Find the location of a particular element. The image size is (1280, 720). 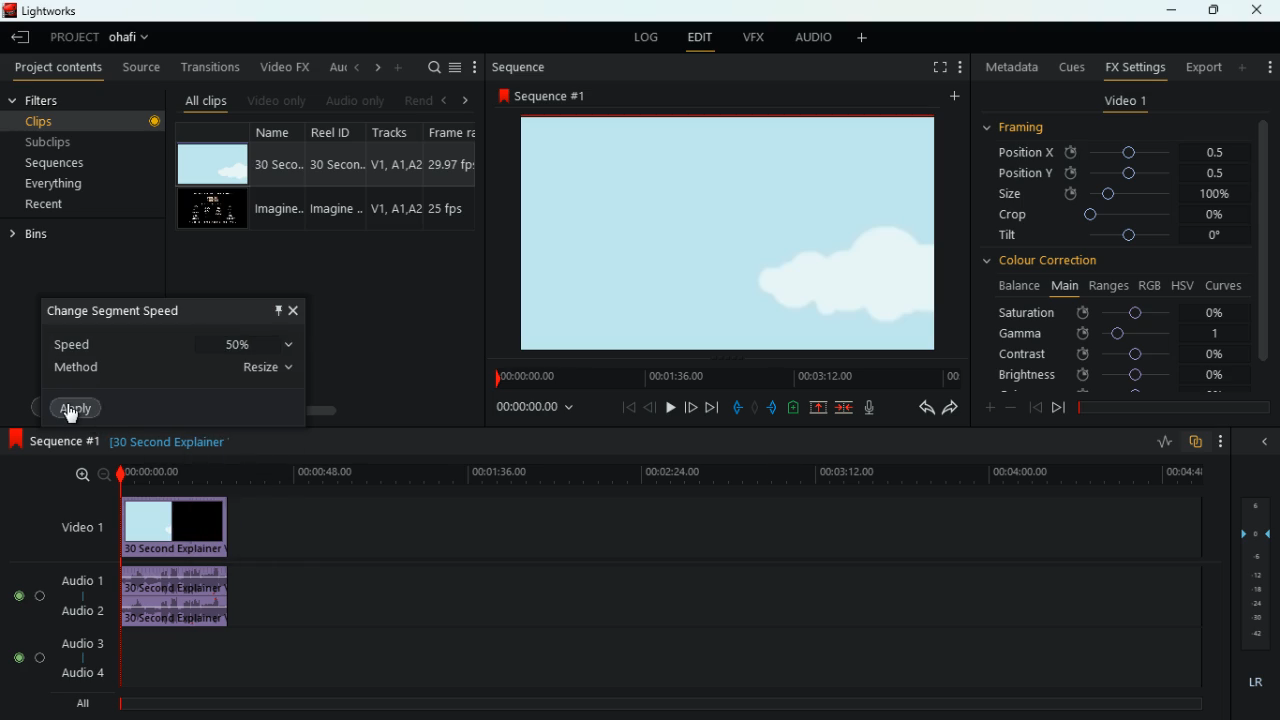

timeline is located at coordinates (725, 377).